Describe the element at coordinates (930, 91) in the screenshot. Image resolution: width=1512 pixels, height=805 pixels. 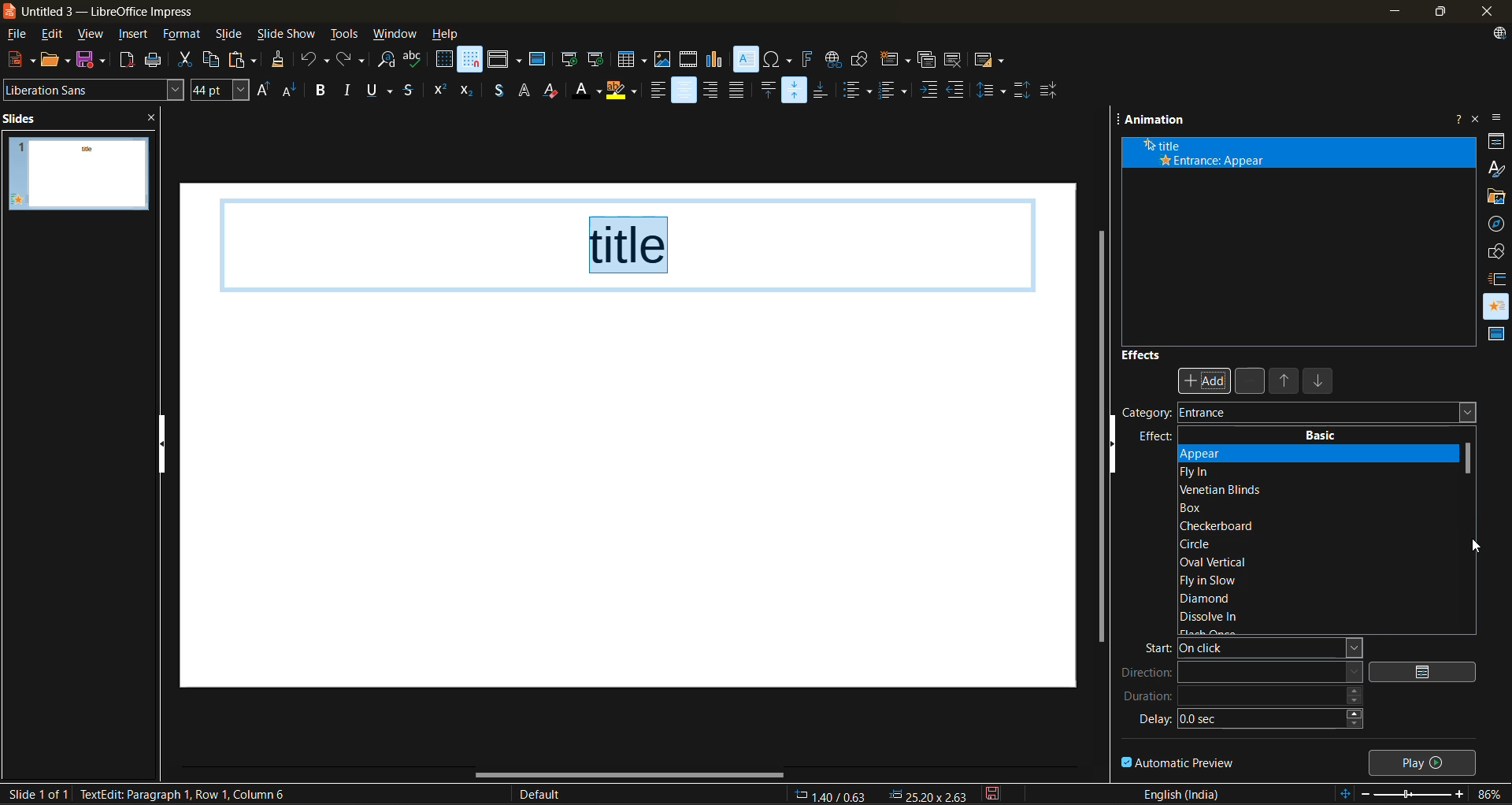
I see `increase indent` at that location.